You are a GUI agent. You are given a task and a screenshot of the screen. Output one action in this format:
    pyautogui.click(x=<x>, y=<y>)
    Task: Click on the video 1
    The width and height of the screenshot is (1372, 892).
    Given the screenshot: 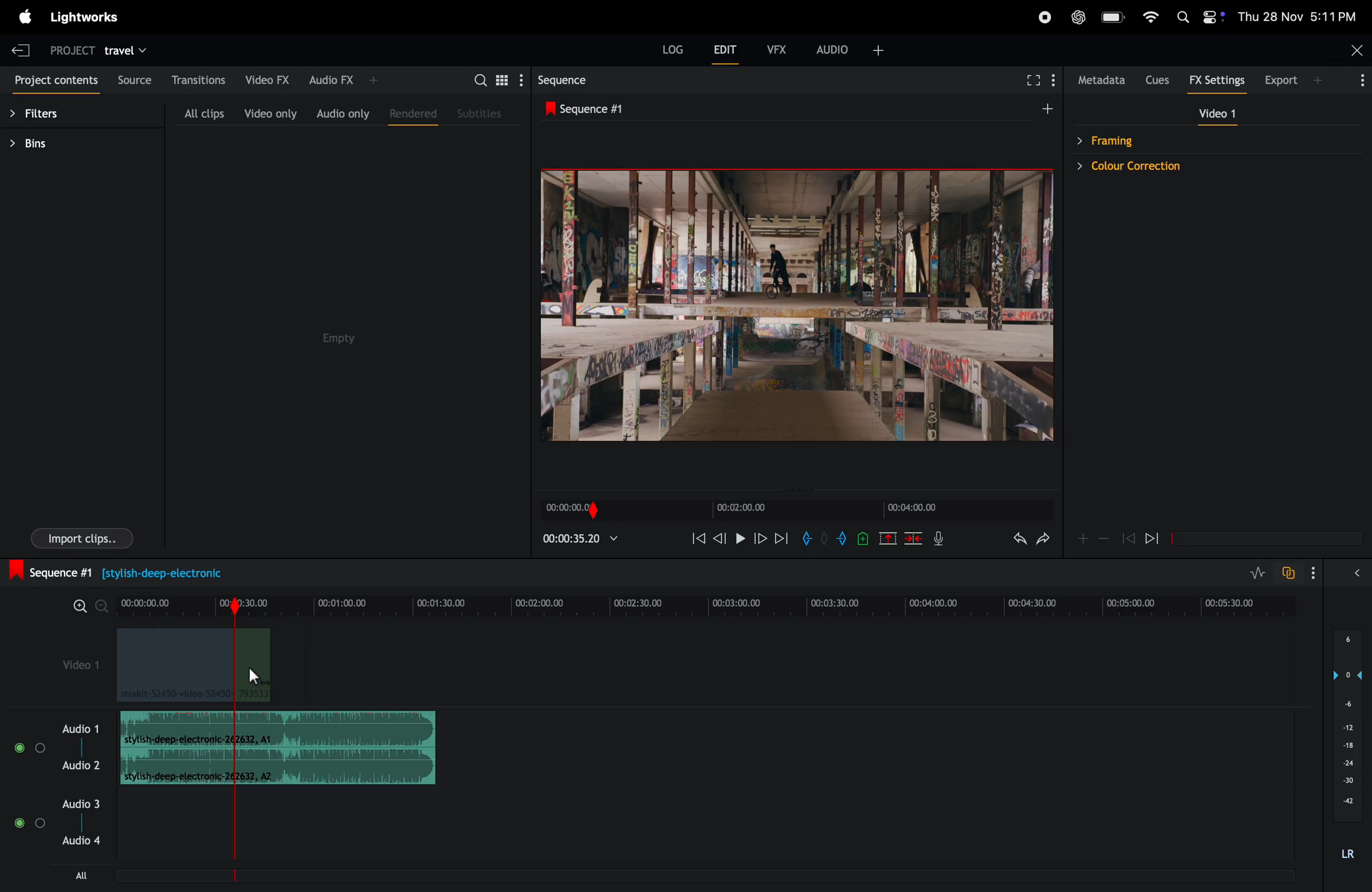 What is the action you would take?
    pyautogui.click(x=82, y=668)
    